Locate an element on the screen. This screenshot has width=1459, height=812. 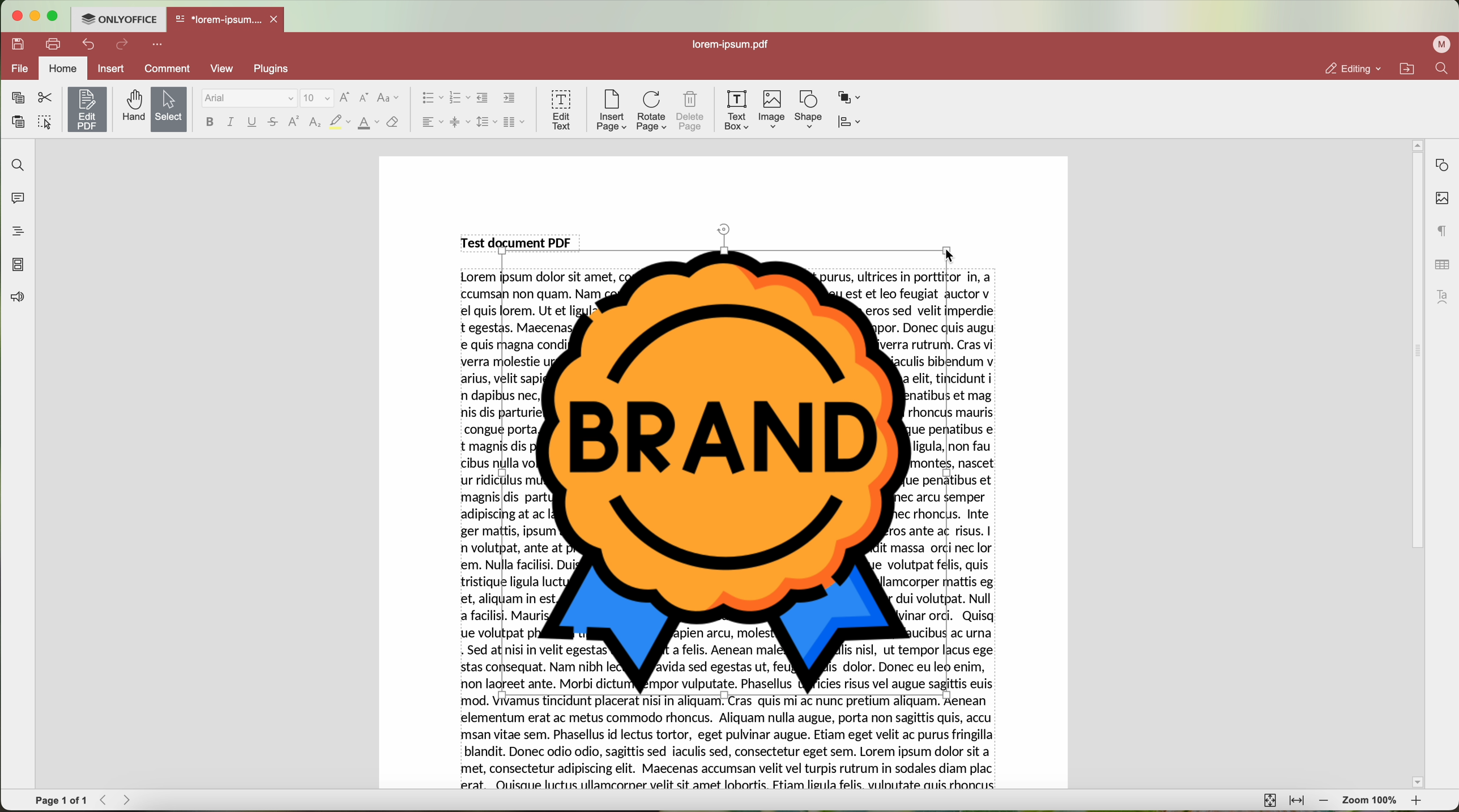
cursor is located at coordinates (952, 257).